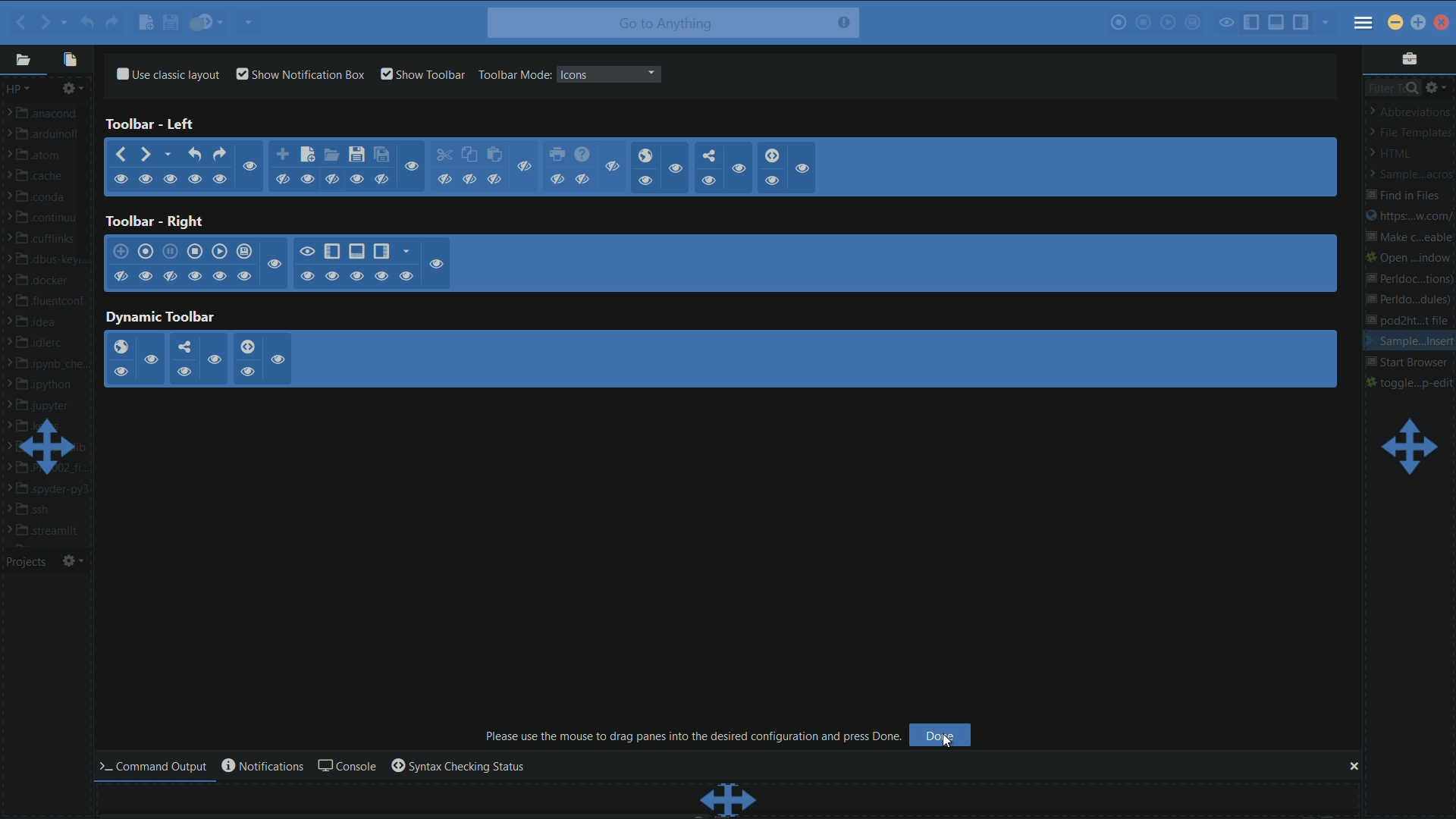  Describe the element at coordinates (1437, 86) in the screenshot. I see `settings` at that location.